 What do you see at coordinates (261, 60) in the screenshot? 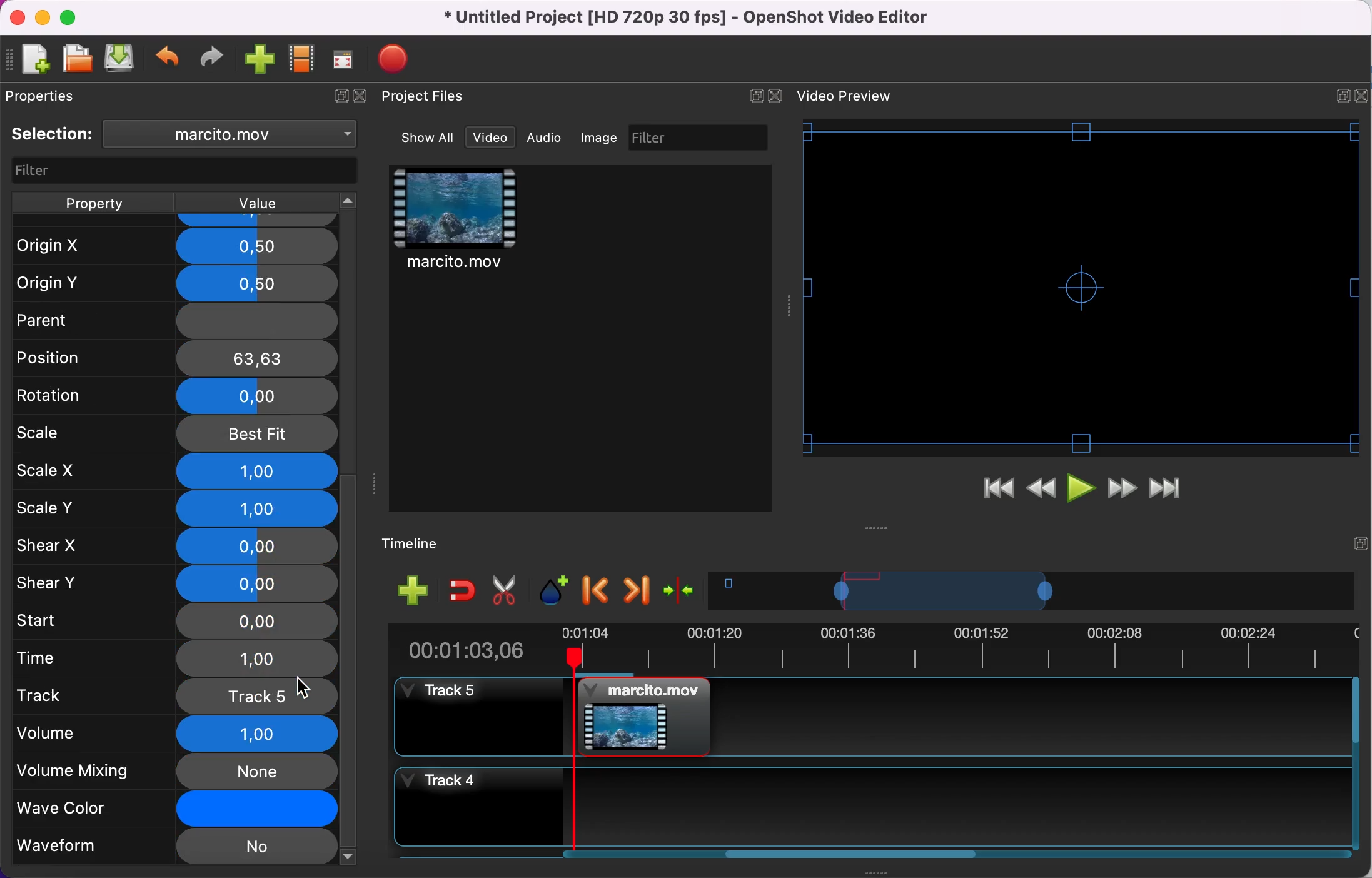
I see `import file` at bounding box center [261, 60].